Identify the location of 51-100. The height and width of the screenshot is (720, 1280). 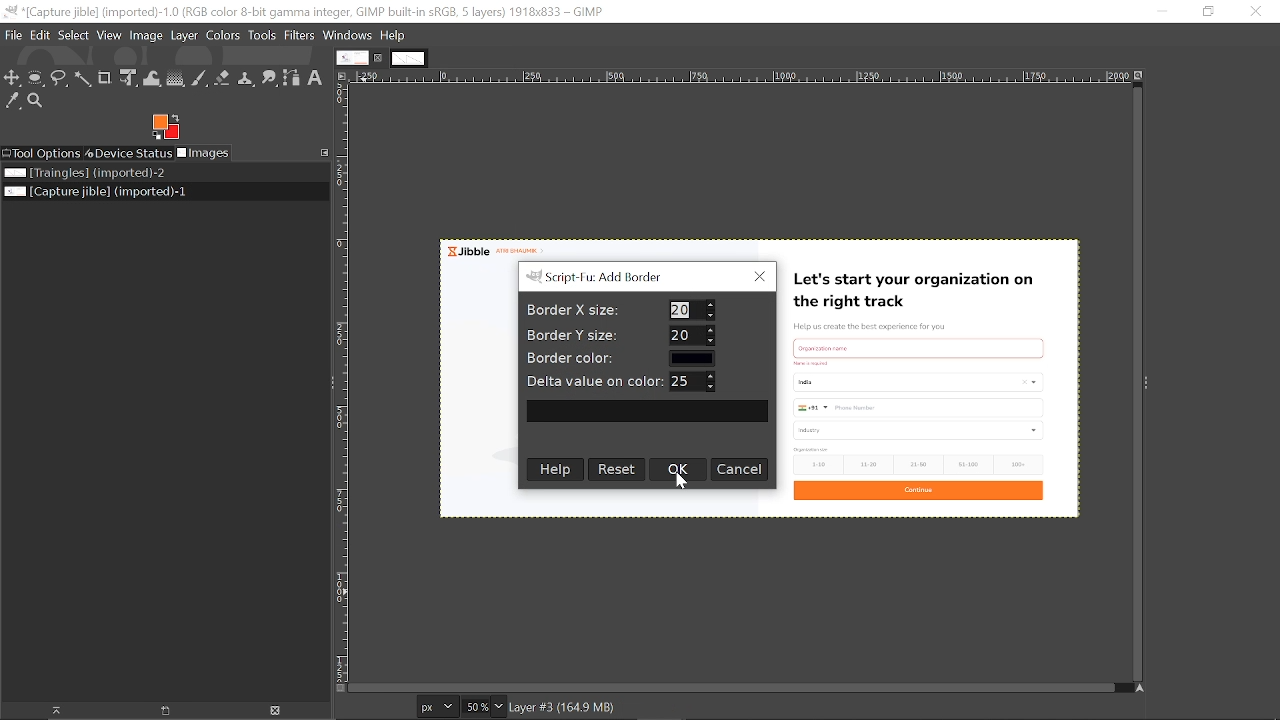
(970, 465).